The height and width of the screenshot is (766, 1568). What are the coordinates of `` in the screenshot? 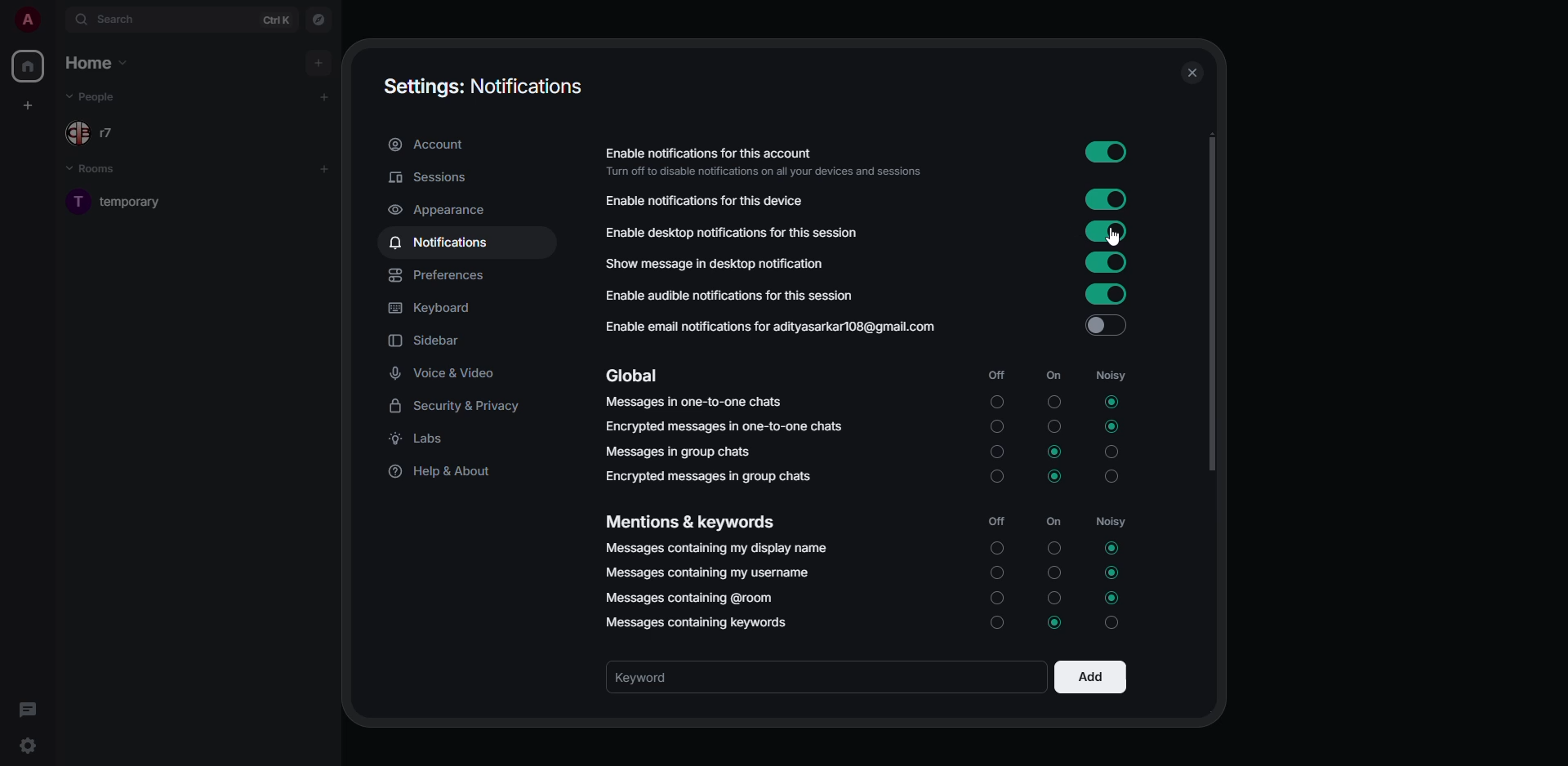 It's located at (1052, 402).